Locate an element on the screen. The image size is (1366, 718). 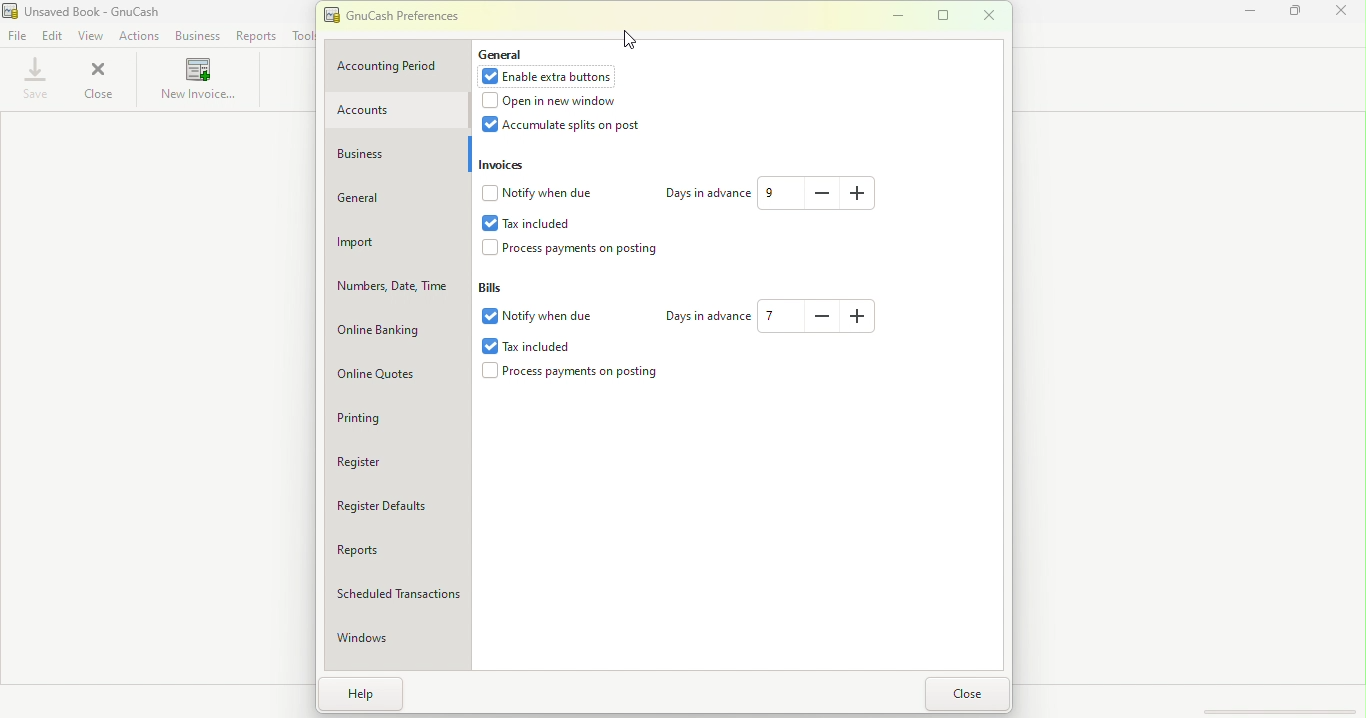
Bills is located at coordinates (492, 288).